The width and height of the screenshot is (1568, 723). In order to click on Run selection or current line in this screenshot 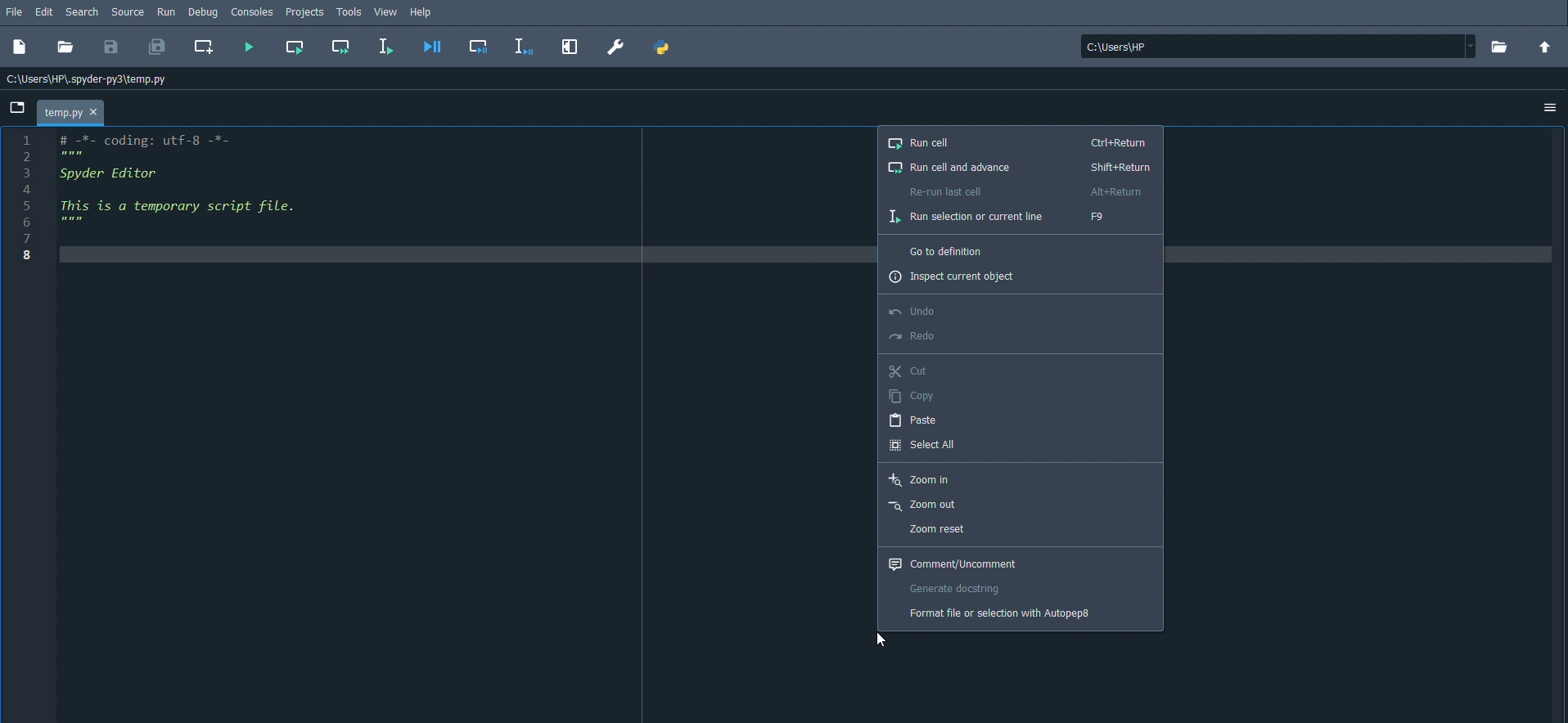, I will do `click(385, 46)`.